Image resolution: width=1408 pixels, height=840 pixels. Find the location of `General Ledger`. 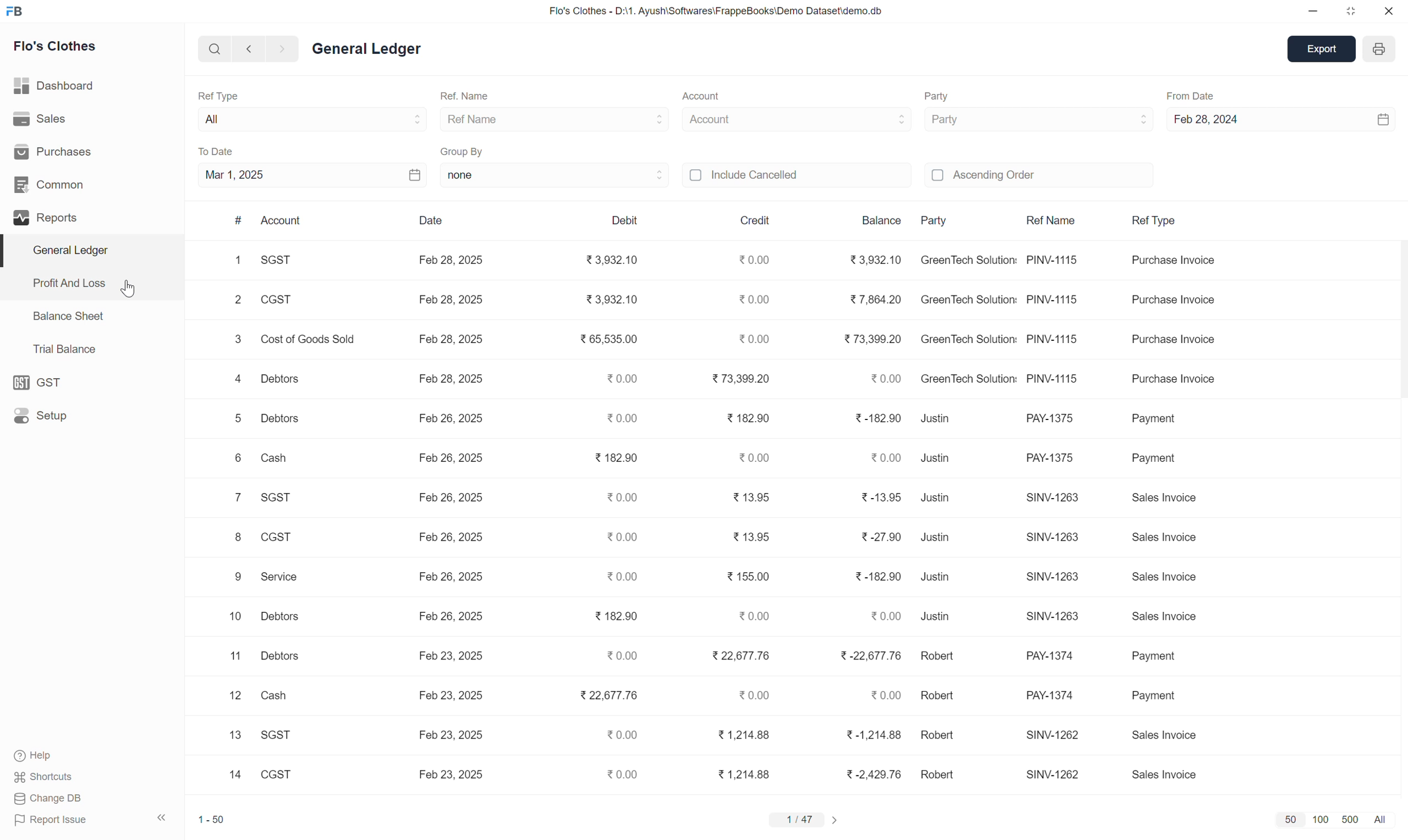

General Ledger is located at coordinates (82, 254).